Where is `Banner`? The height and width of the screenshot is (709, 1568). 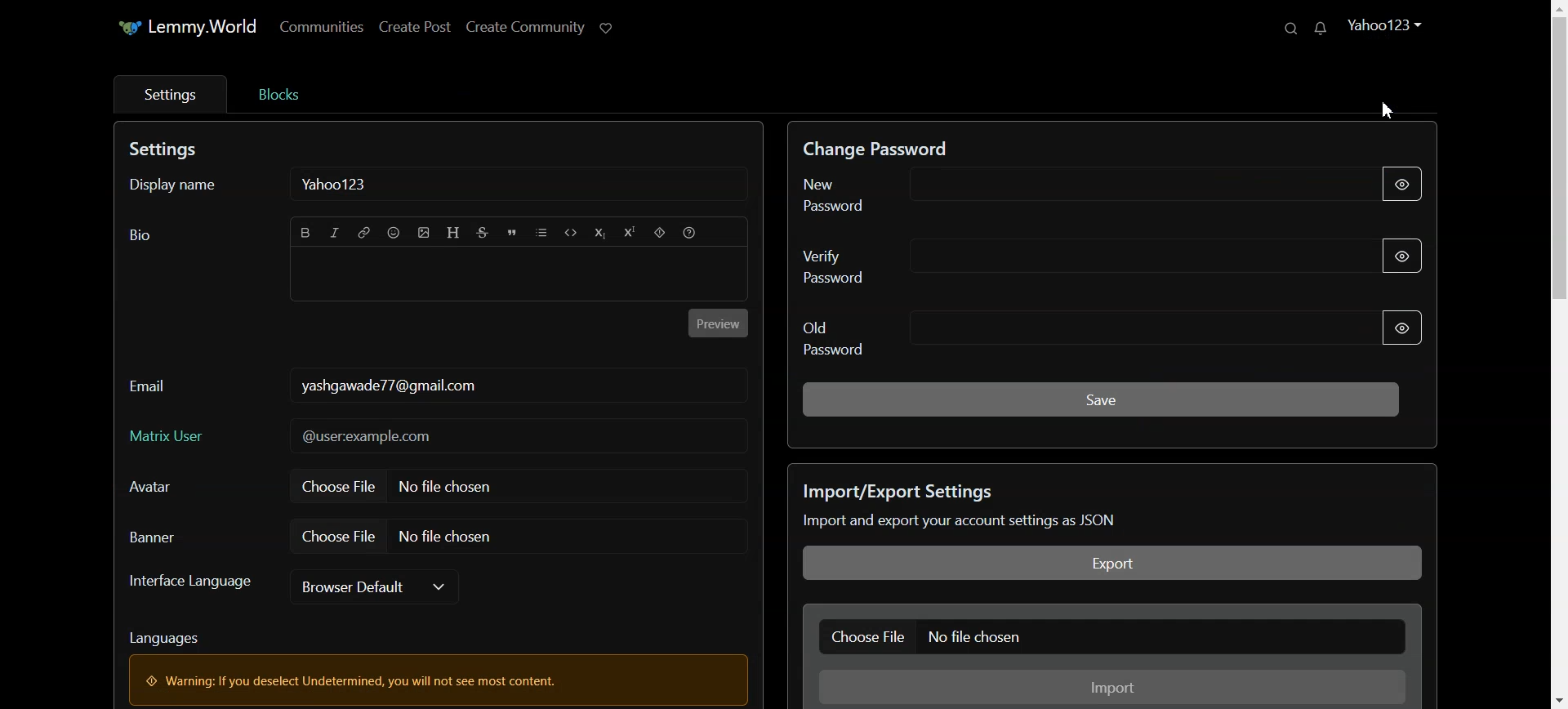
Banner is located at coordinates (158, 537).